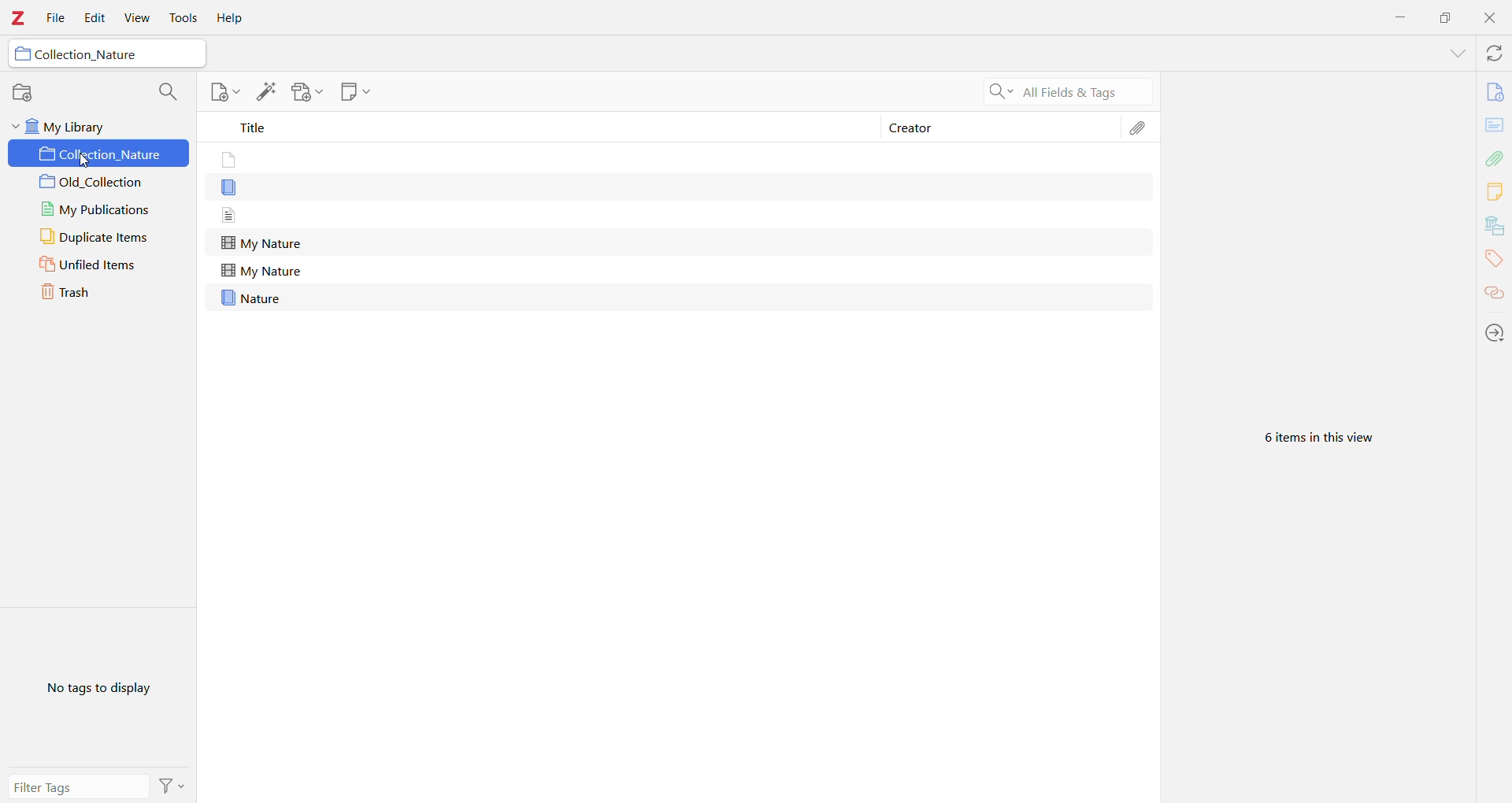  What do you see at coordinates (1495, 54) in the screenshot?
I see `Sync with zotero.org` at bounding box center [1495, 54].